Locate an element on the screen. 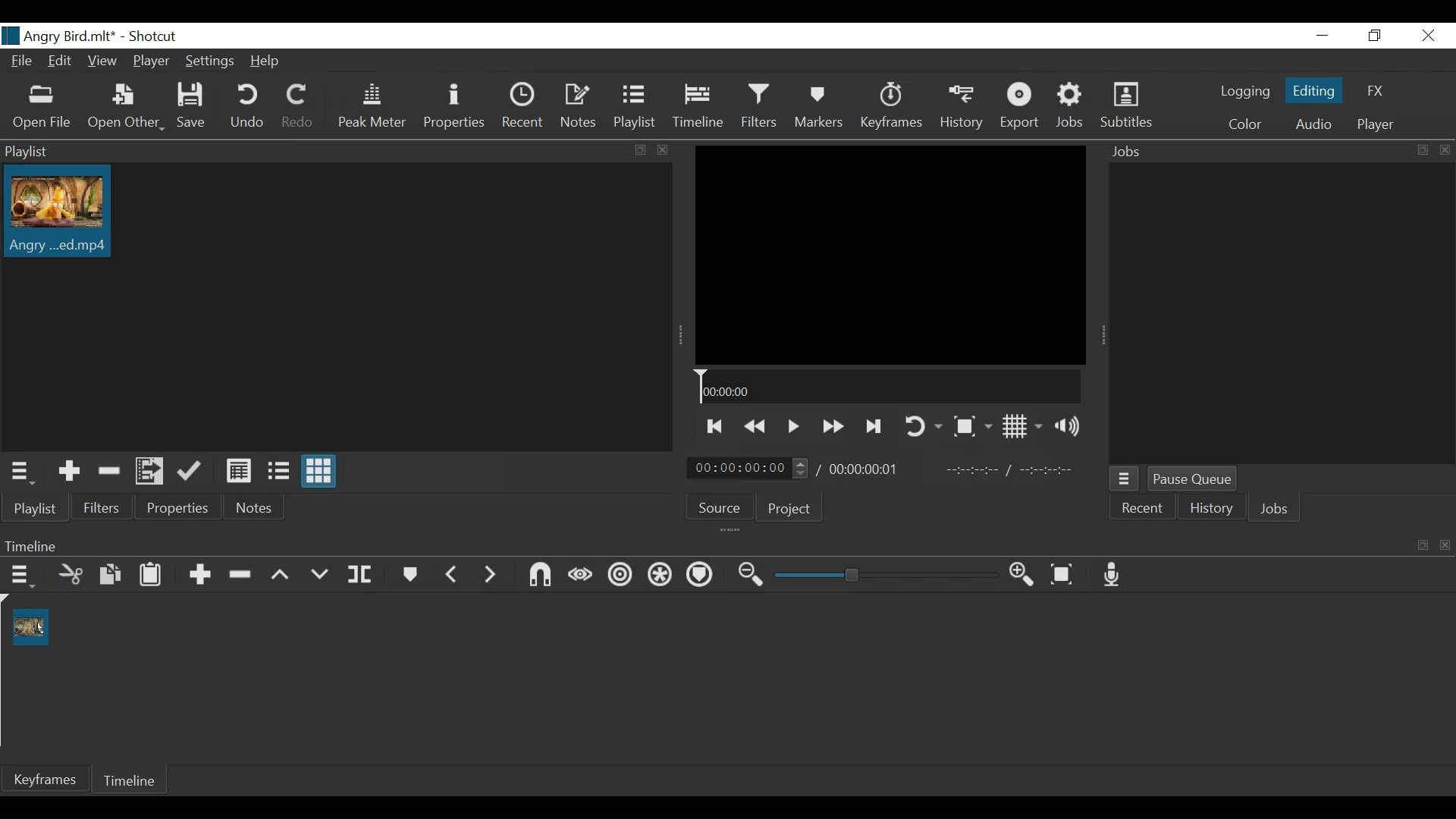  Toggle play or pause (space) is located at coordinates (792, 426).